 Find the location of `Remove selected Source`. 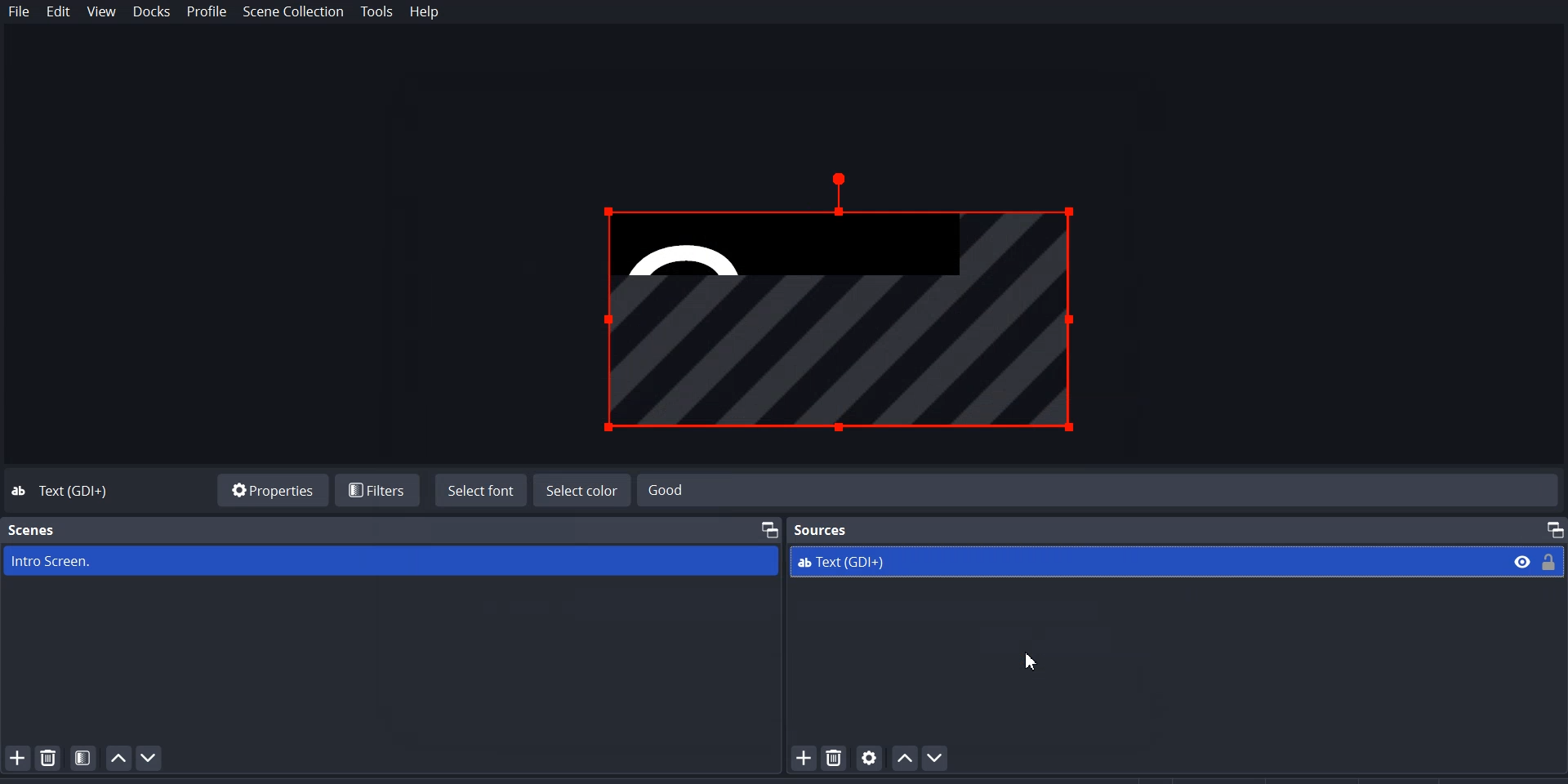

Remove selected Source is located at coordinates (836, 758).